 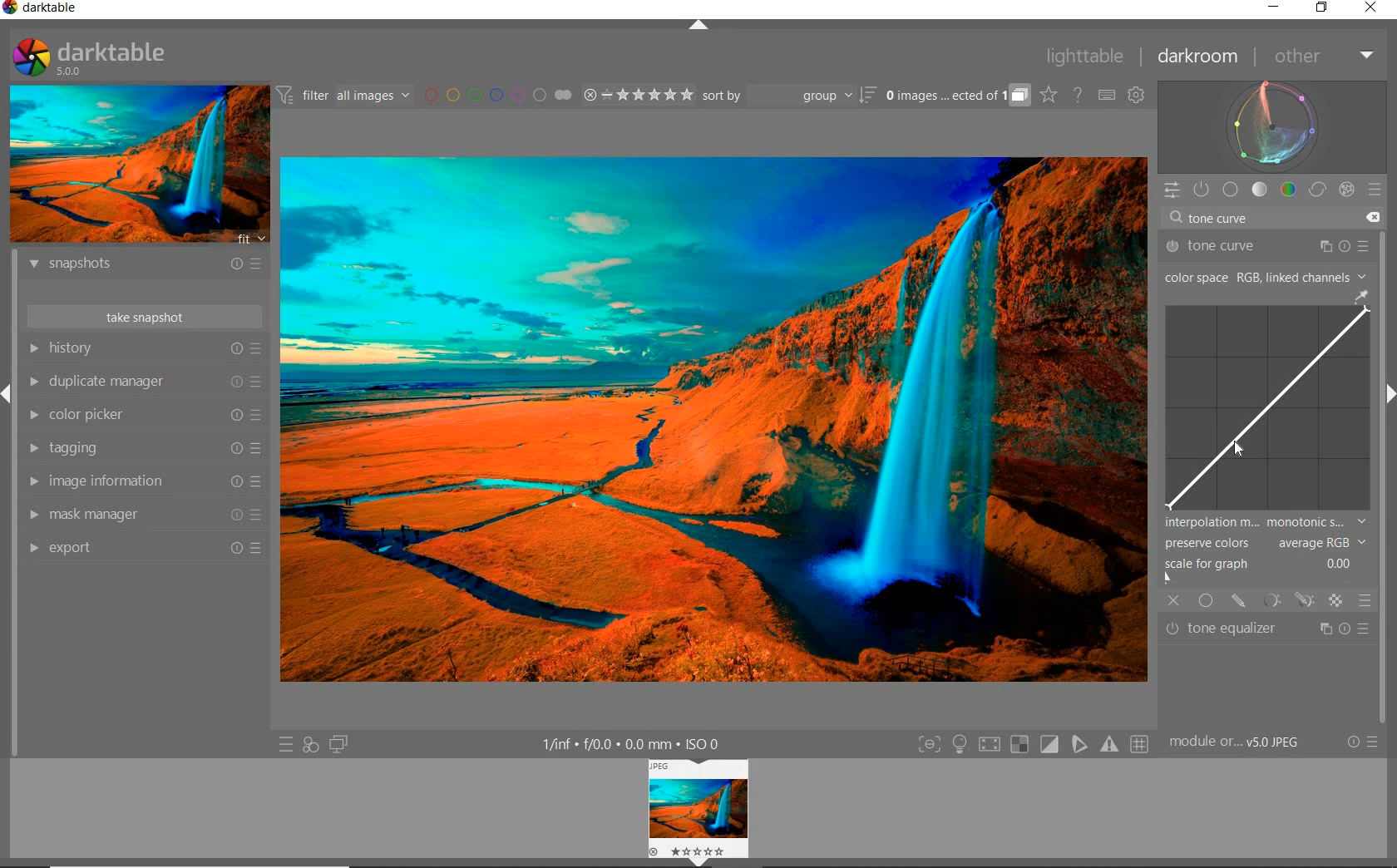 What do you see at coordinates (1362, 743) in the screenshot?
I see `RESET OR PRESETS & PREFERENCES` at bounding box center [1362, 743].